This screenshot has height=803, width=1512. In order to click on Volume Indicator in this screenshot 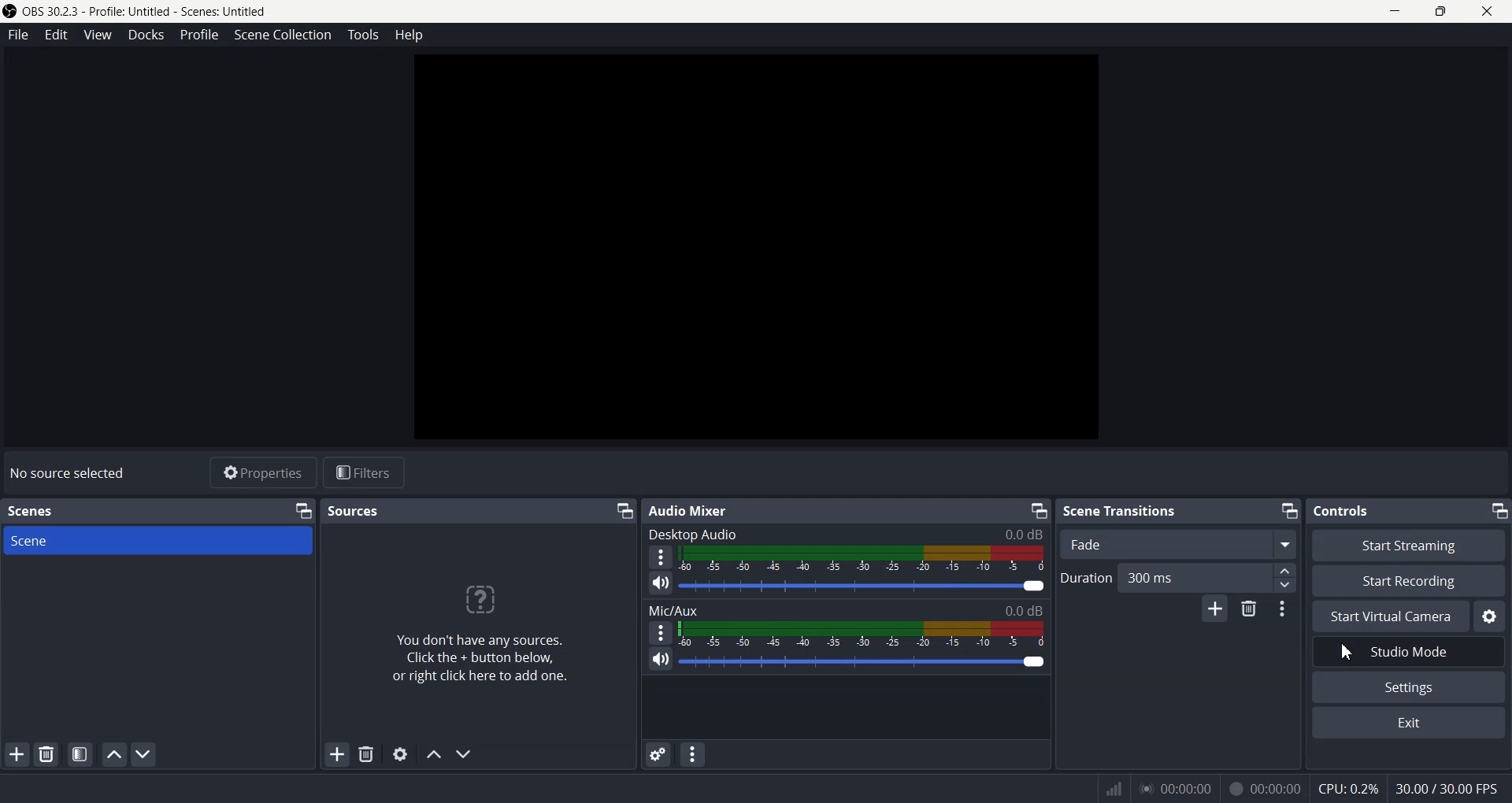, I will do `click(863, 635)`.